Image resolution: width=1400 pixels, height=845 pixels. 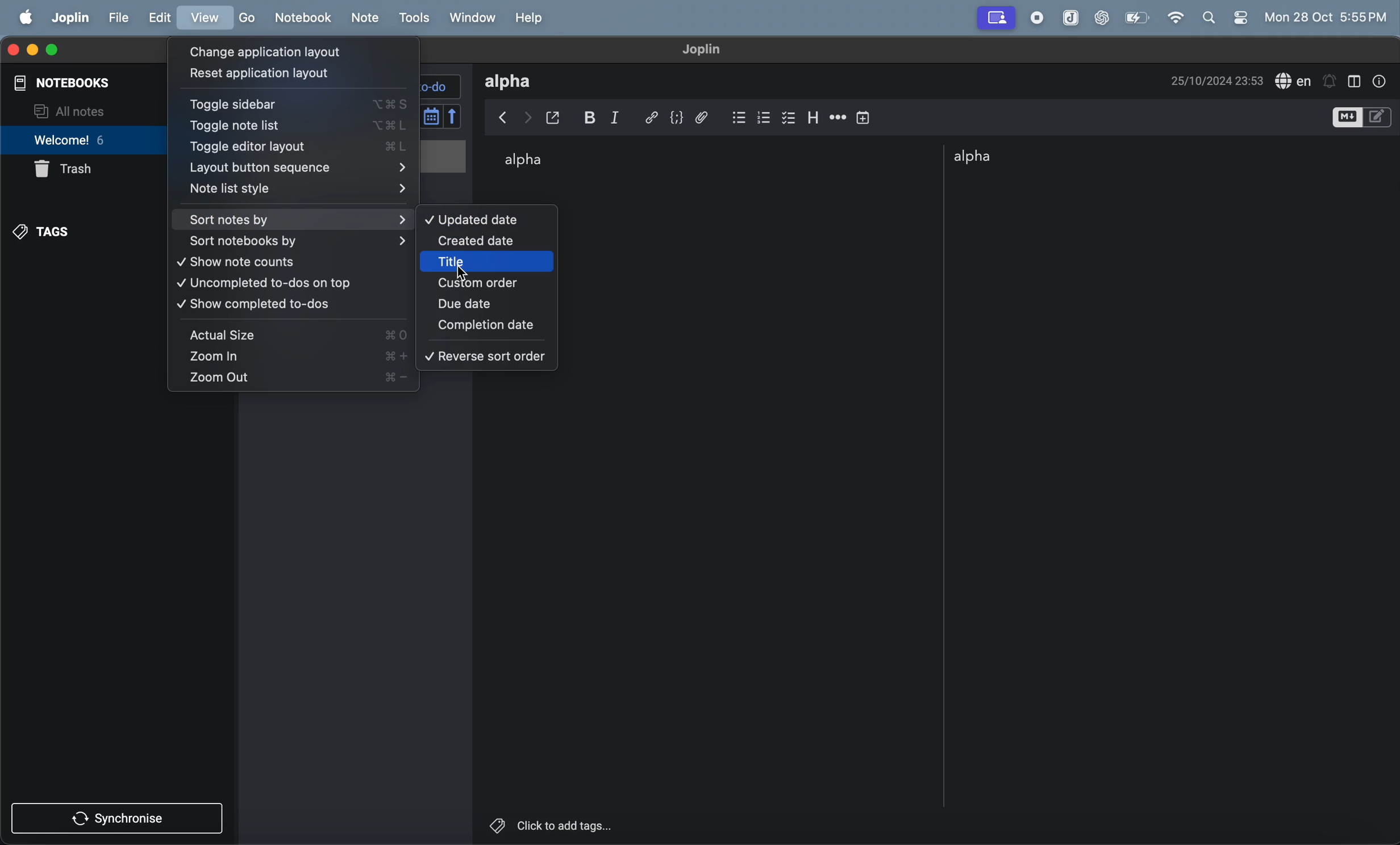 What do you see at coordinates (70, 110) in the screenshot?
I see `All notes` at bounding box center [70, 110].